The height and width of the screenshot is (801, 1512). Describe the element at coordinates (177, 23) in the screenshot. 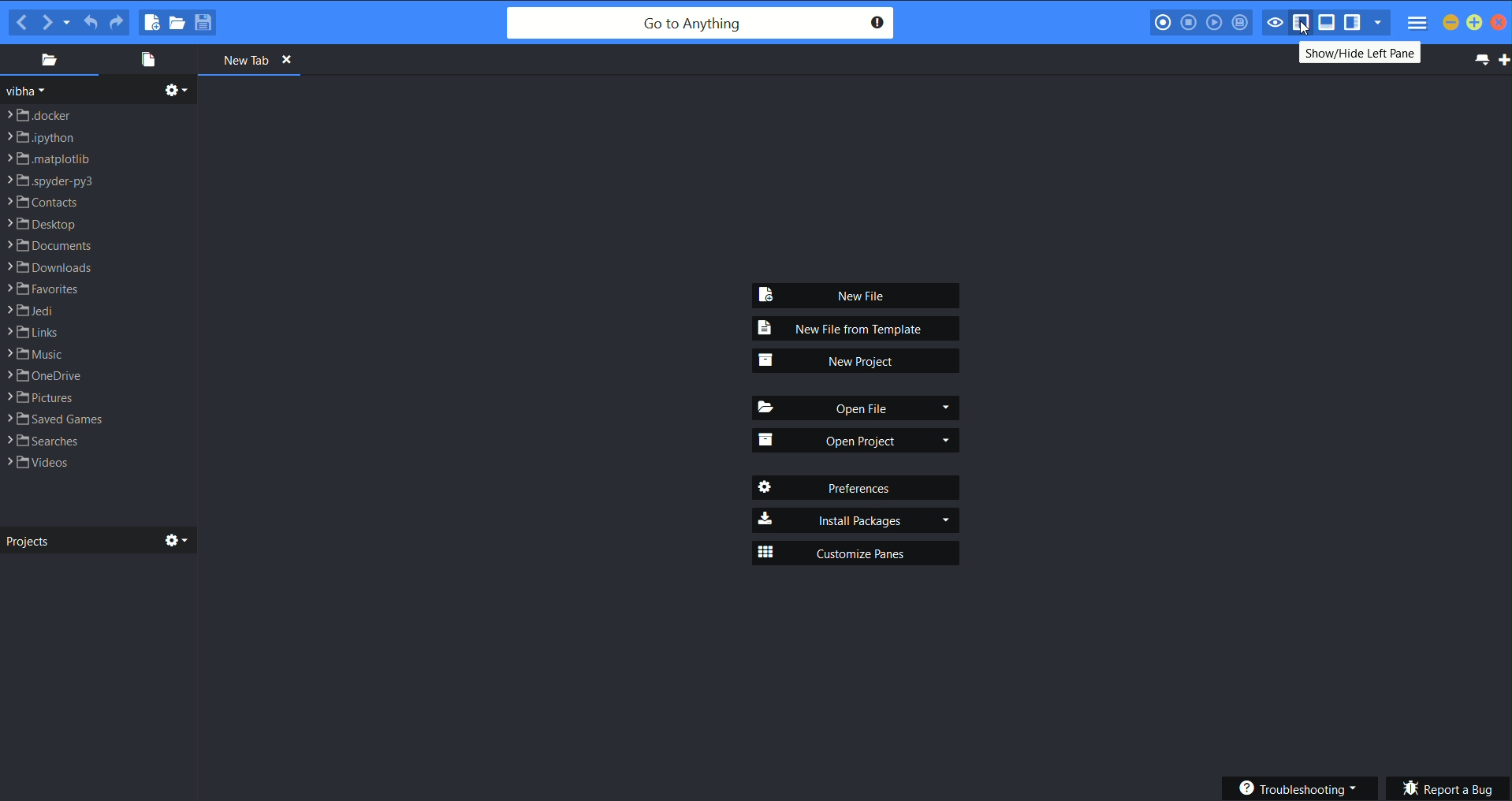

I see `open file` at that location.